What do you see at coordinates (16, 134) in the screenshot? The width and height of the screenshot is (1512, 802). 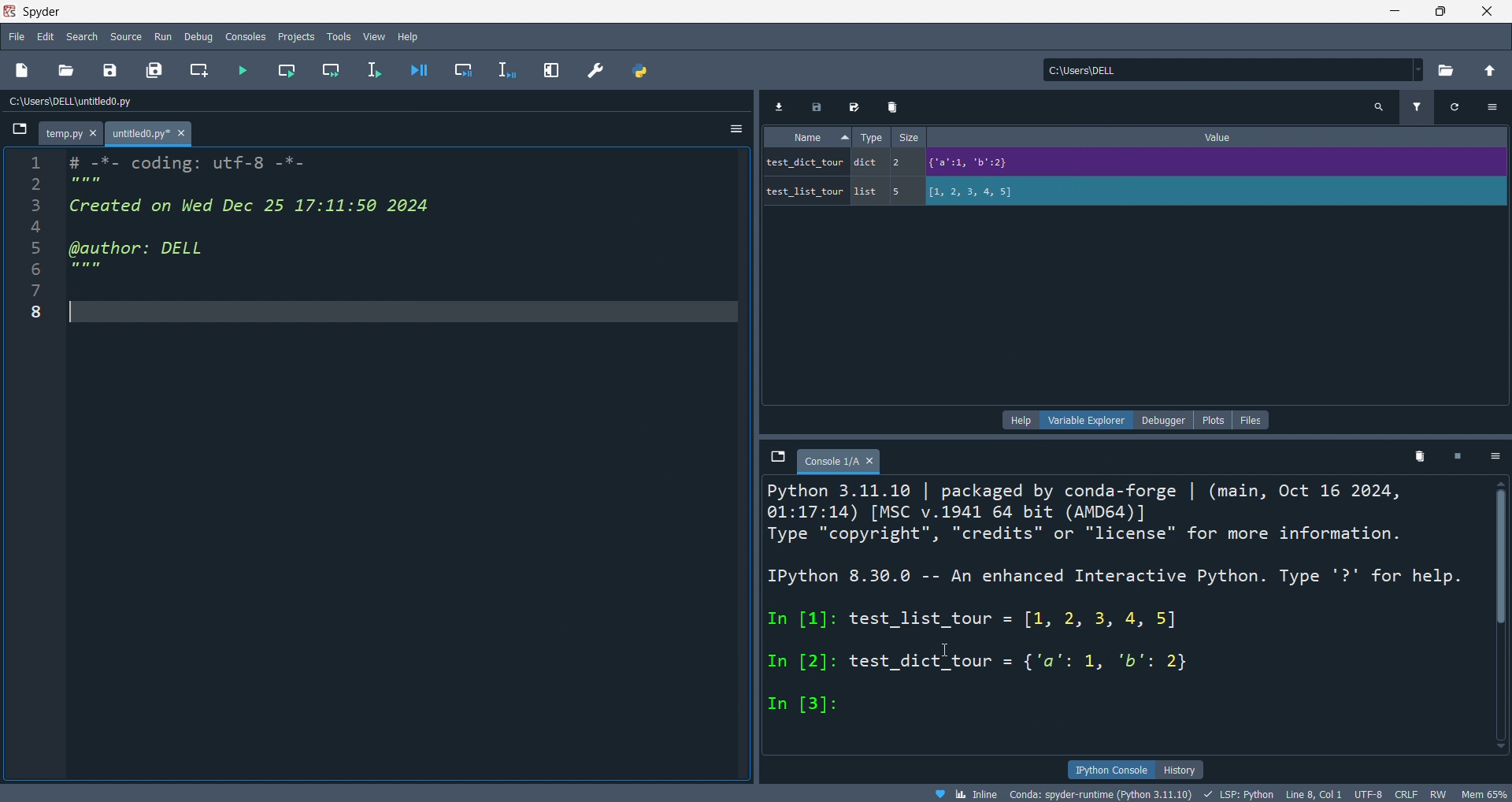 I see `browse tabs` at bounding box center [16, 134].